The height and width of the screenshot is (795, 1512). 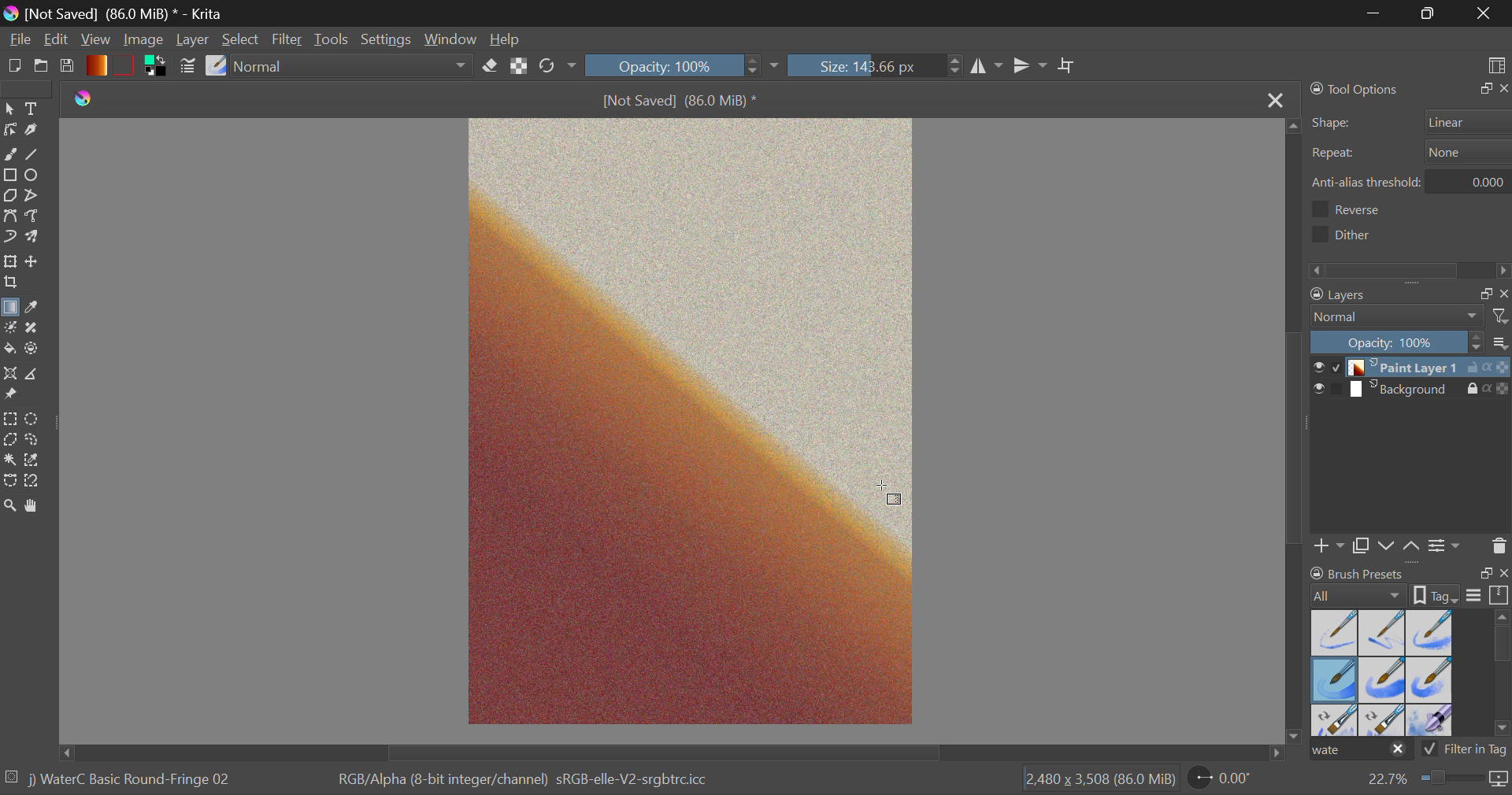 What do you see at coordinates (10, 506) in the screenshot?
I see `Zoom` at bounding box center [10, 506].